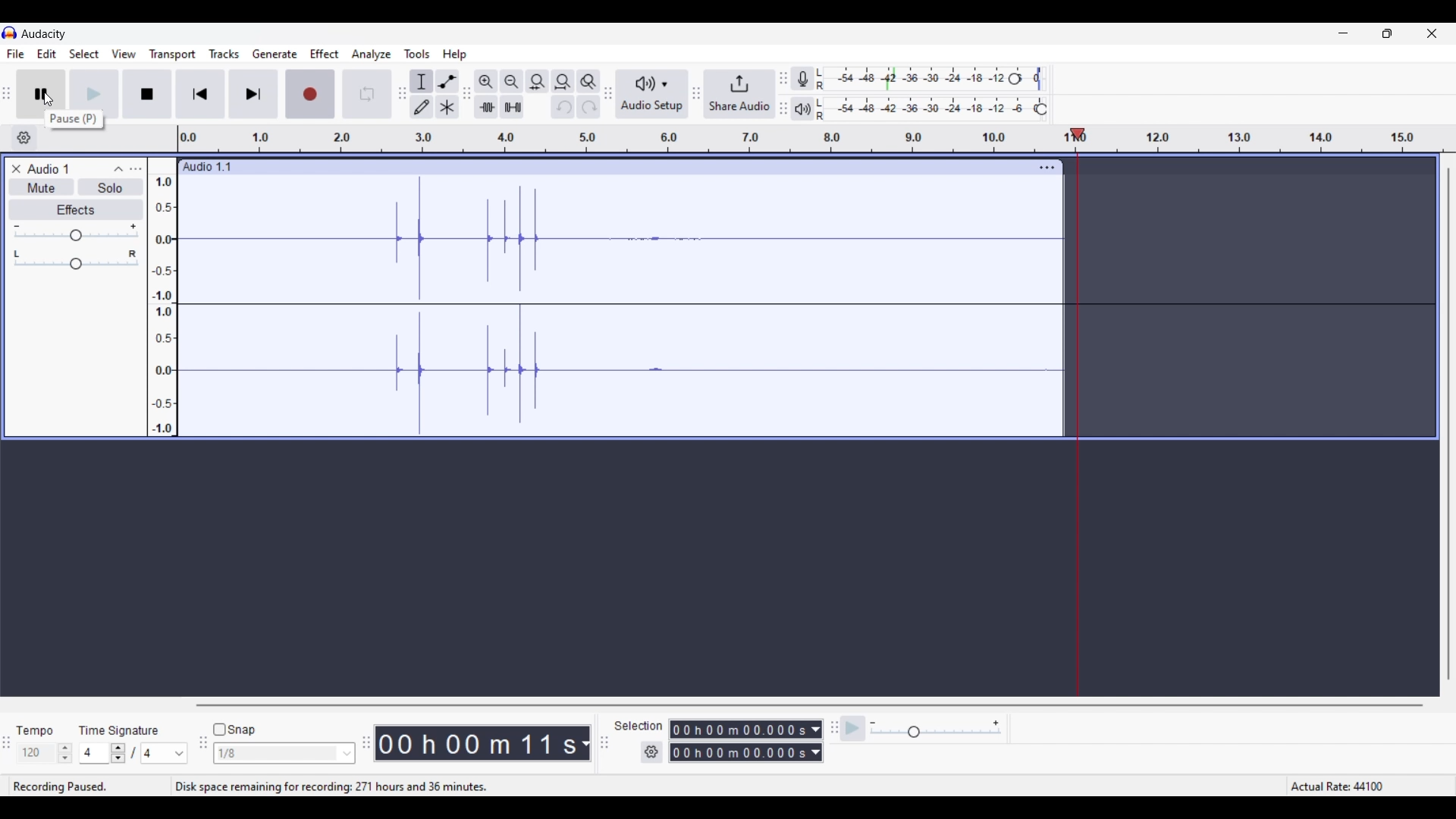  Describe the element at coordinates (782, 91) in the screenshot. I see `toolbar` at that location.